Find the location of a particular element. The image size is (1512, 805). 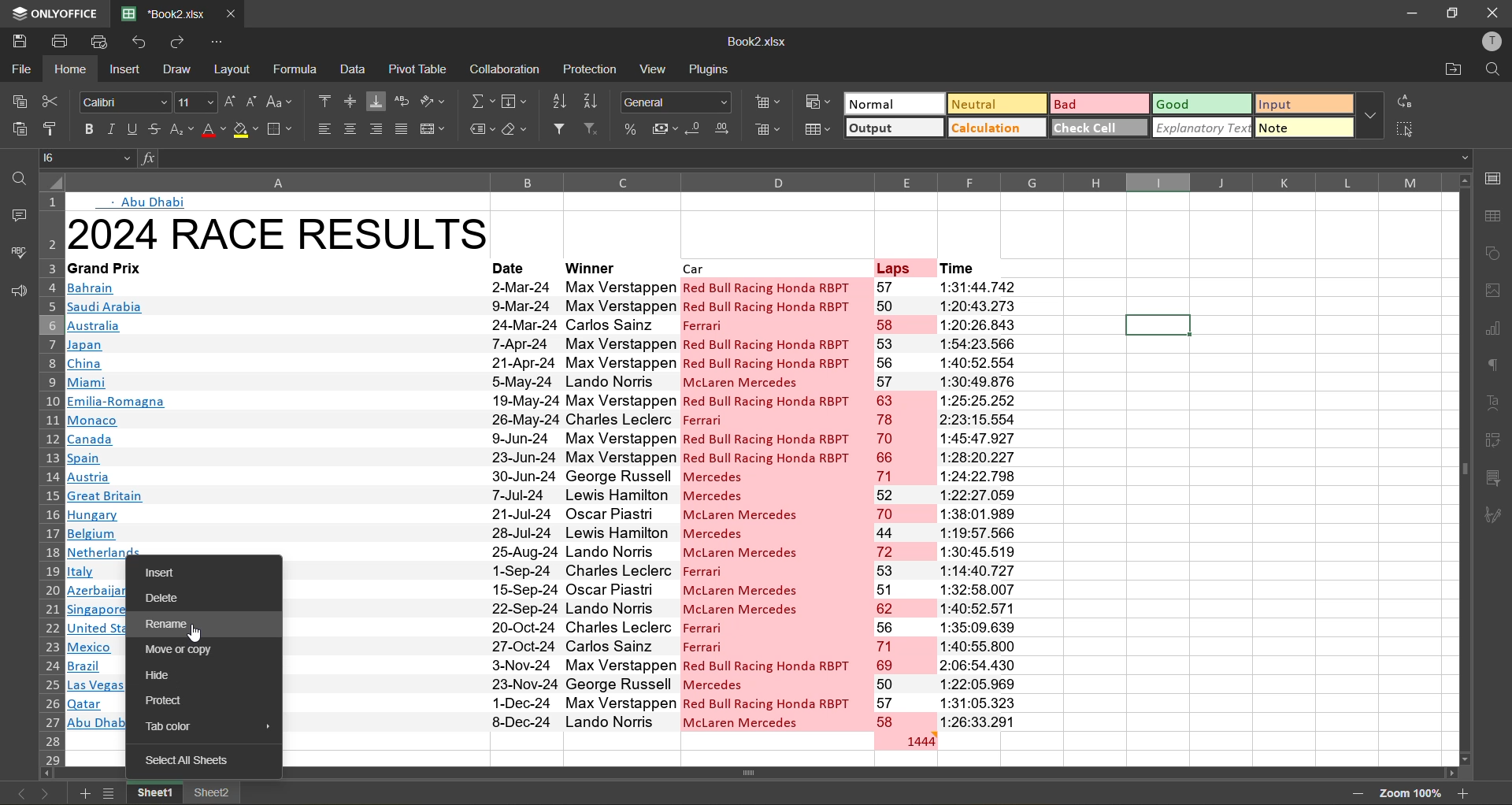

redo is located at coordinates (183, 42).